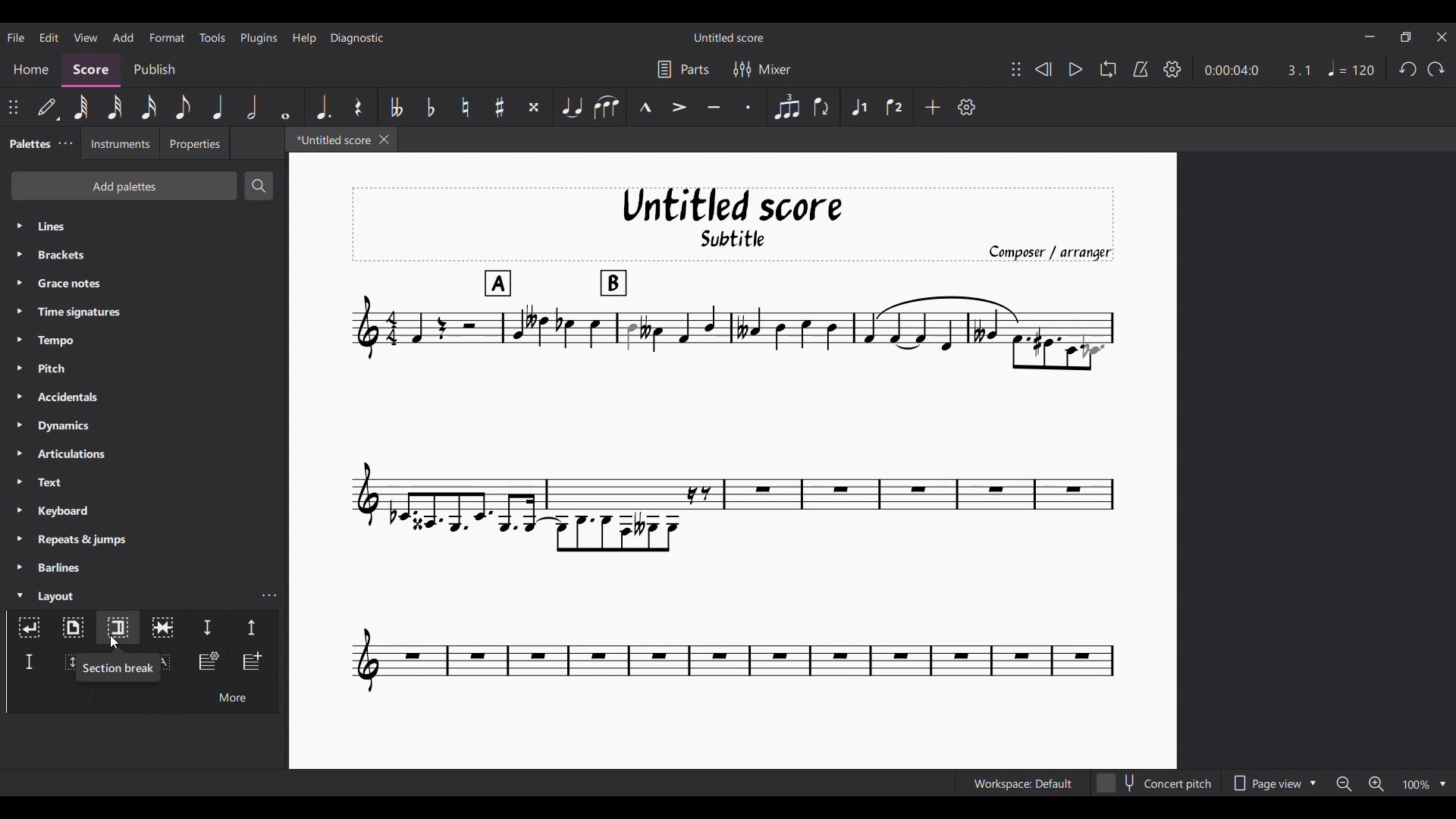 The width and height of the screenshot is (1456, 819). What do you see at coordinates (149, 107) in the screenshot?
I see `16th note` at bounding box center [149, 107].